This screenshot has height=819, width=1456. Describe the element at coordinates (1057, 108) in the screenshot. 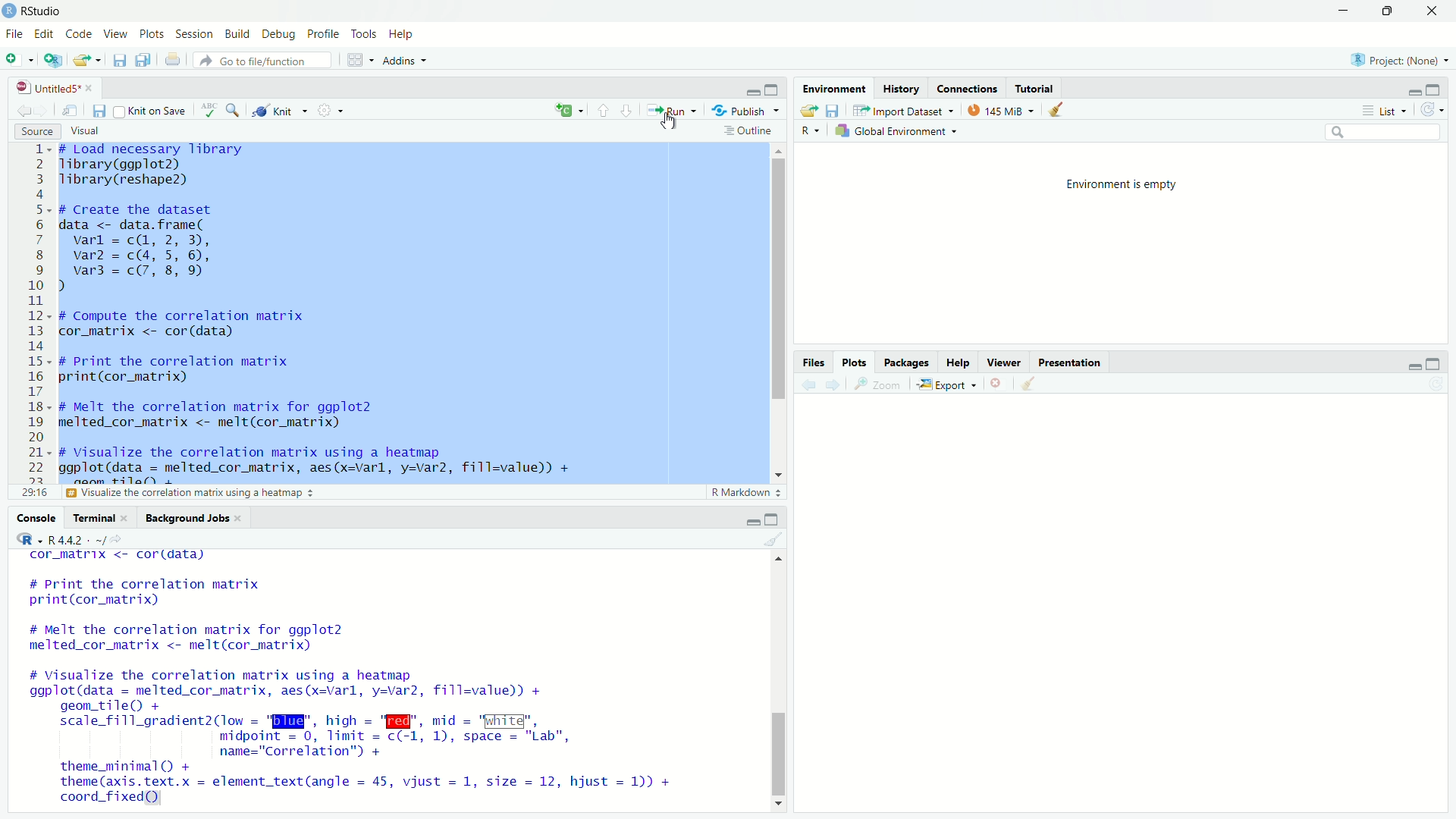

I see `clear objects` at that location.